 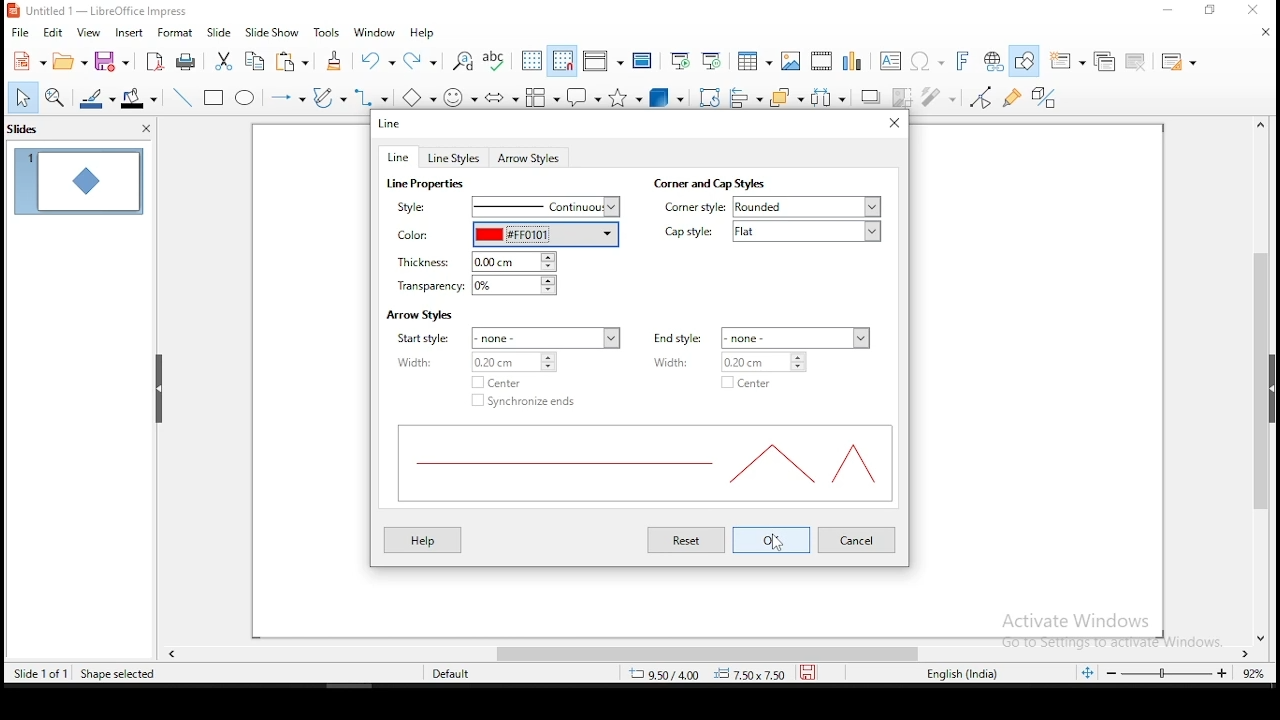 What do you see at coordinates (460, 672) in the screenshot?
I see `default` at bounding box center [460, 672].